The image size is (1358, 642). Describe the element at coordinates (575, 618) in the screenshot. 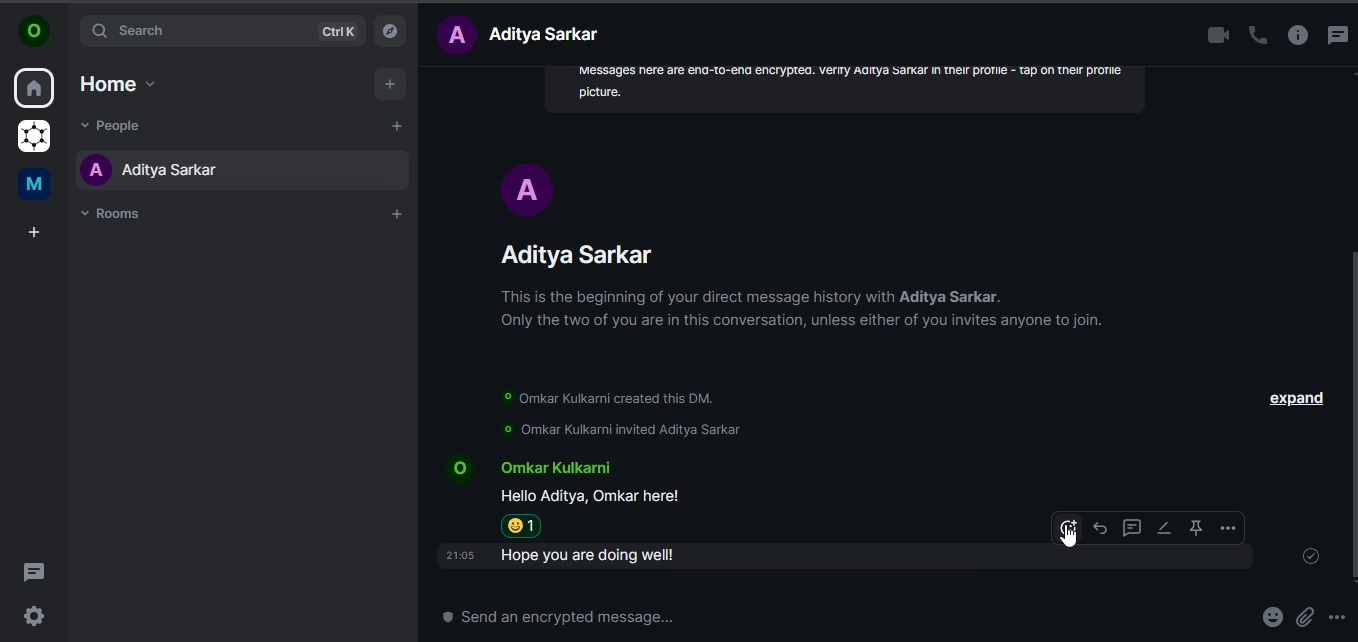

I see `send an encrypted message` at that location.